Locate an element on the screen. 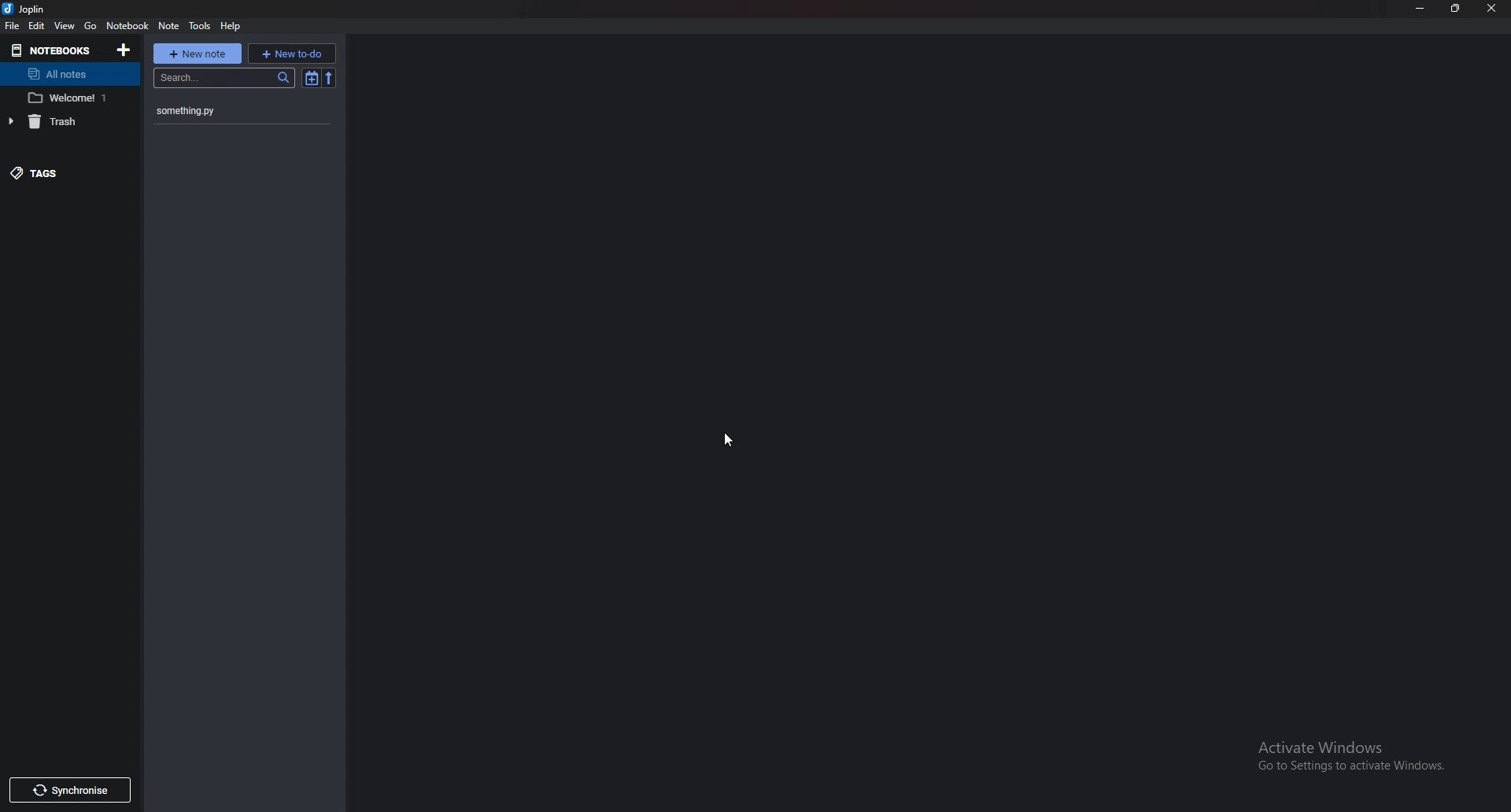 This screenshot has height=812, width=1511. close is located at coordinates (1491, 9).